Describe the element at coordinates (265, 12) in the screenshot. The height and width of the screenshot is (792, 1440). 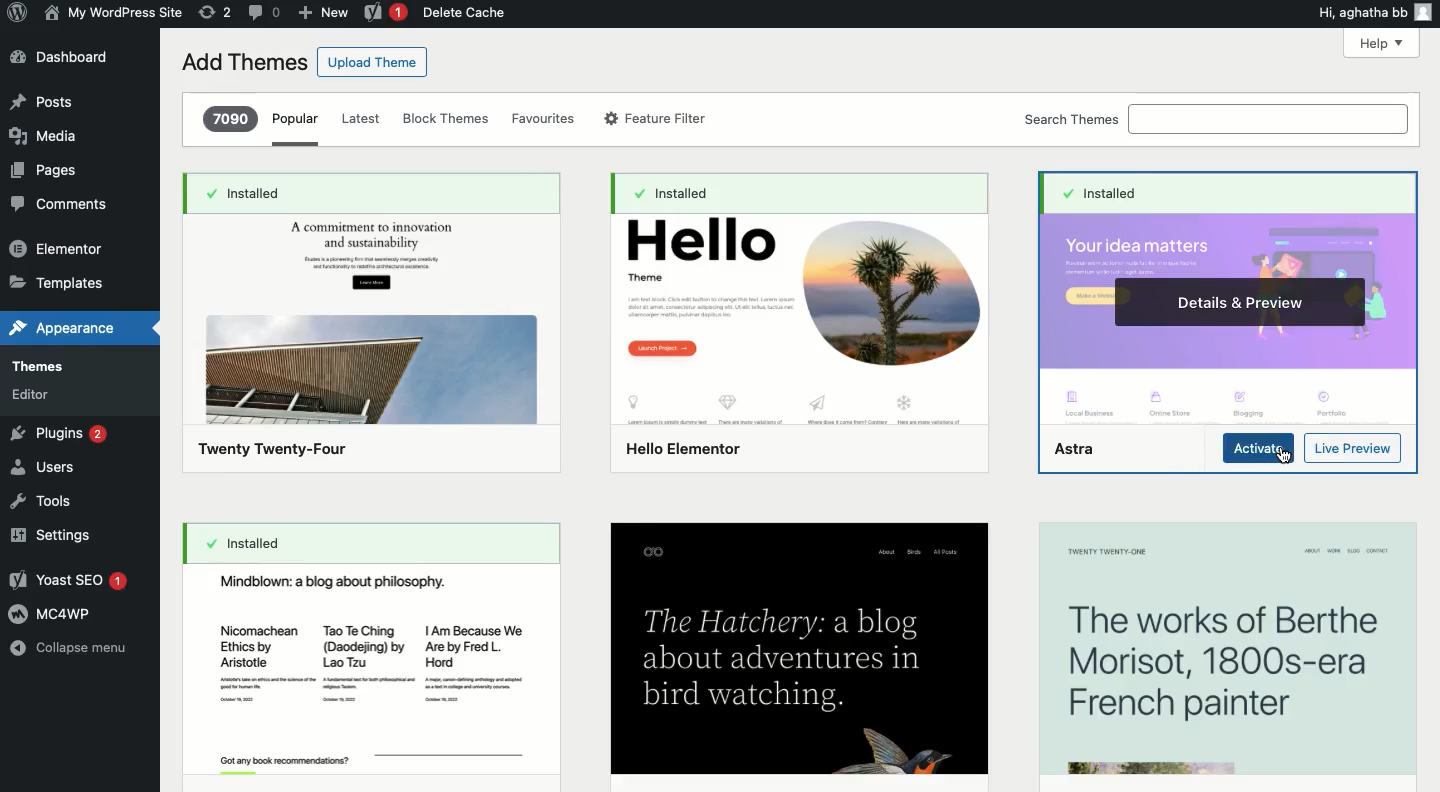
I see `Comment` at that location.